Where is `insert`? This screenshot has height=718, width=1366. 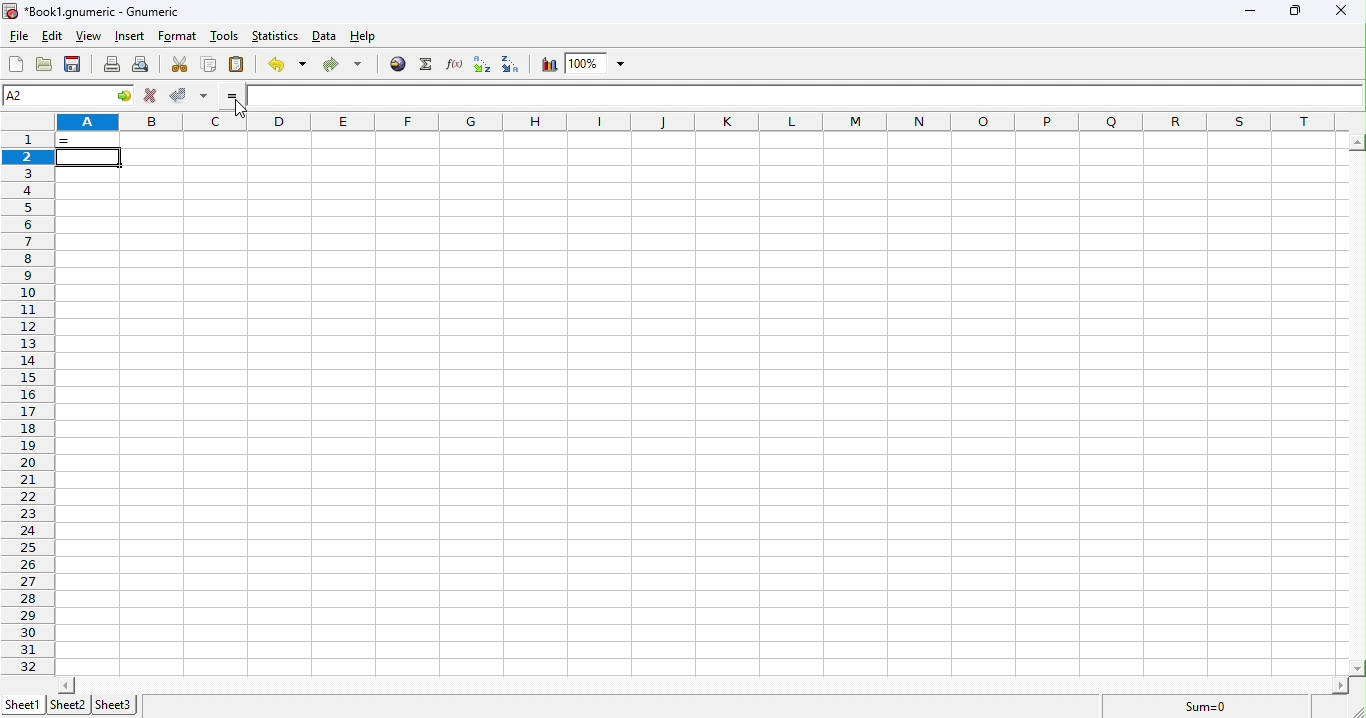
insert is located at coordinates (132, 36).